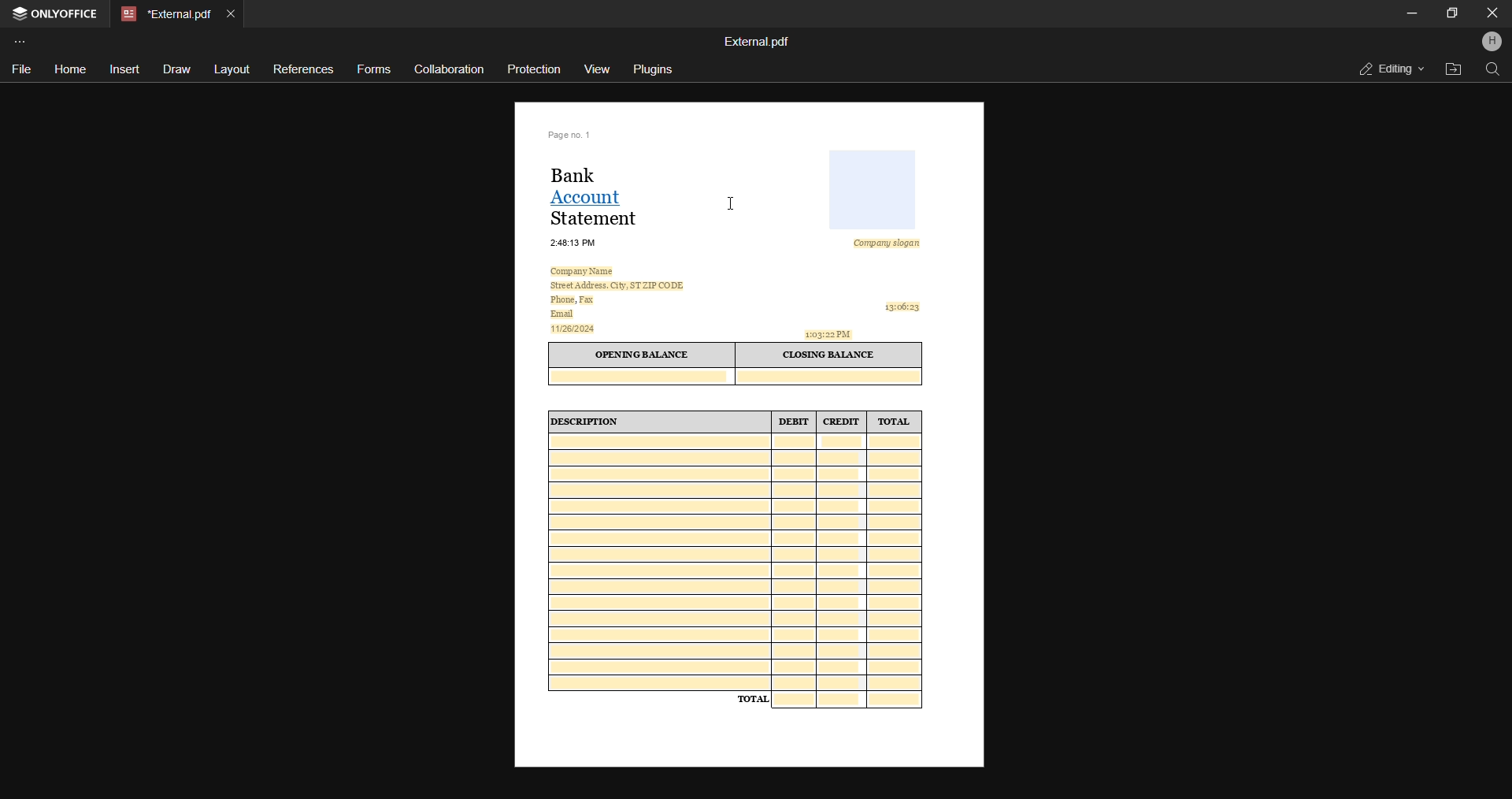 The width and height of the screenshot is (1512, 799). Describe the element at coordinates (231, 70) in the screenshot. I see `layout` at that location.